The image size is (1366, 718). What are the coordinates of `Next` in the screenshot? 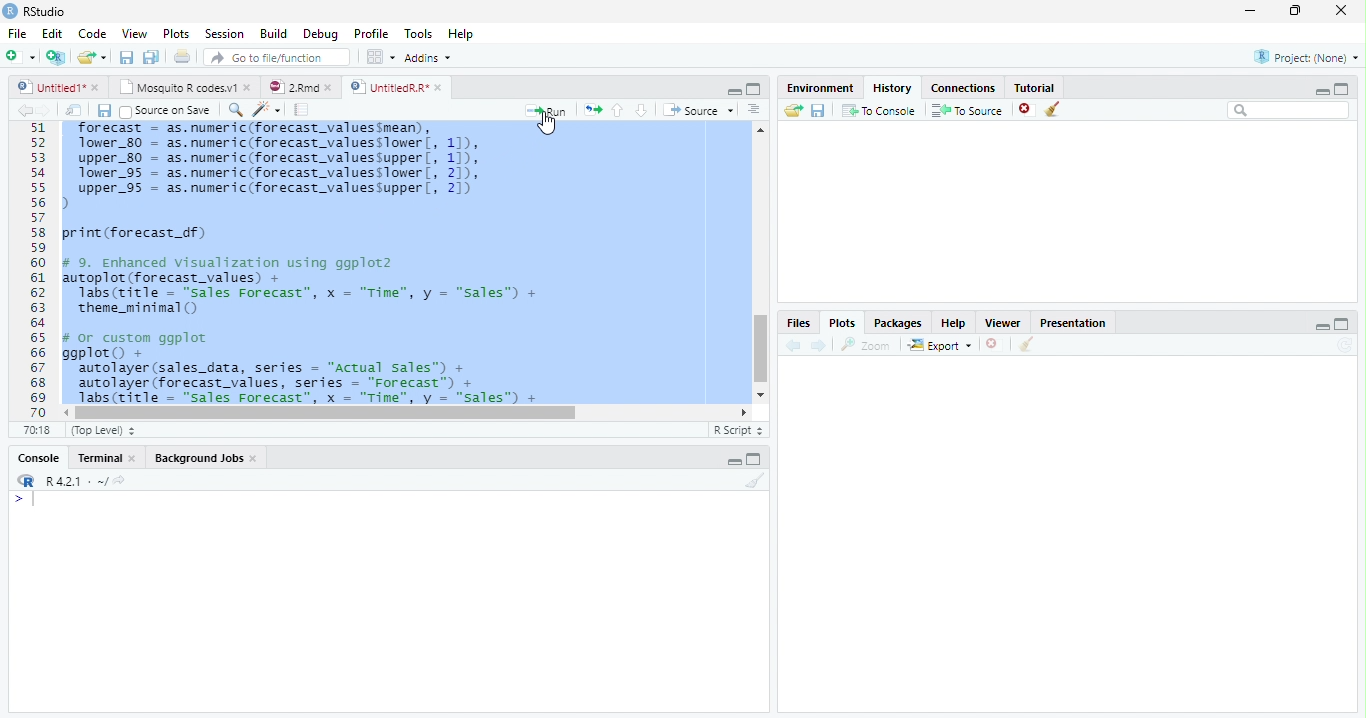 It's located at (821, 346).